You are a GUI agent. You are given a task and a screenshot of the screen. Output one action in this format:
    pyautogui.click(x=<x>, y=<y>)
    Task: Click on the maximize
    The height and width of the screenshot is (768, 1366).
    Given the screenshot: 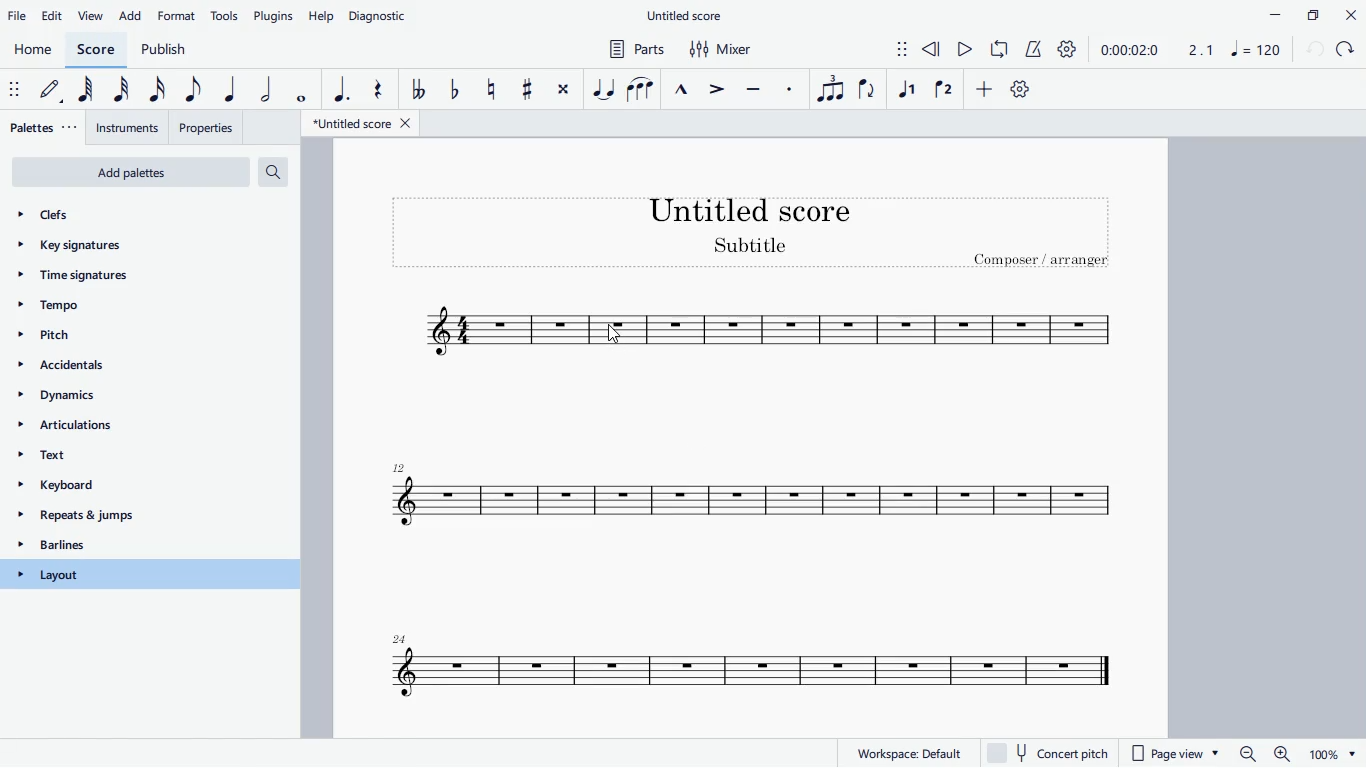 What is the action you would take?
    pyautogui.click(x=1312, y=14)
    